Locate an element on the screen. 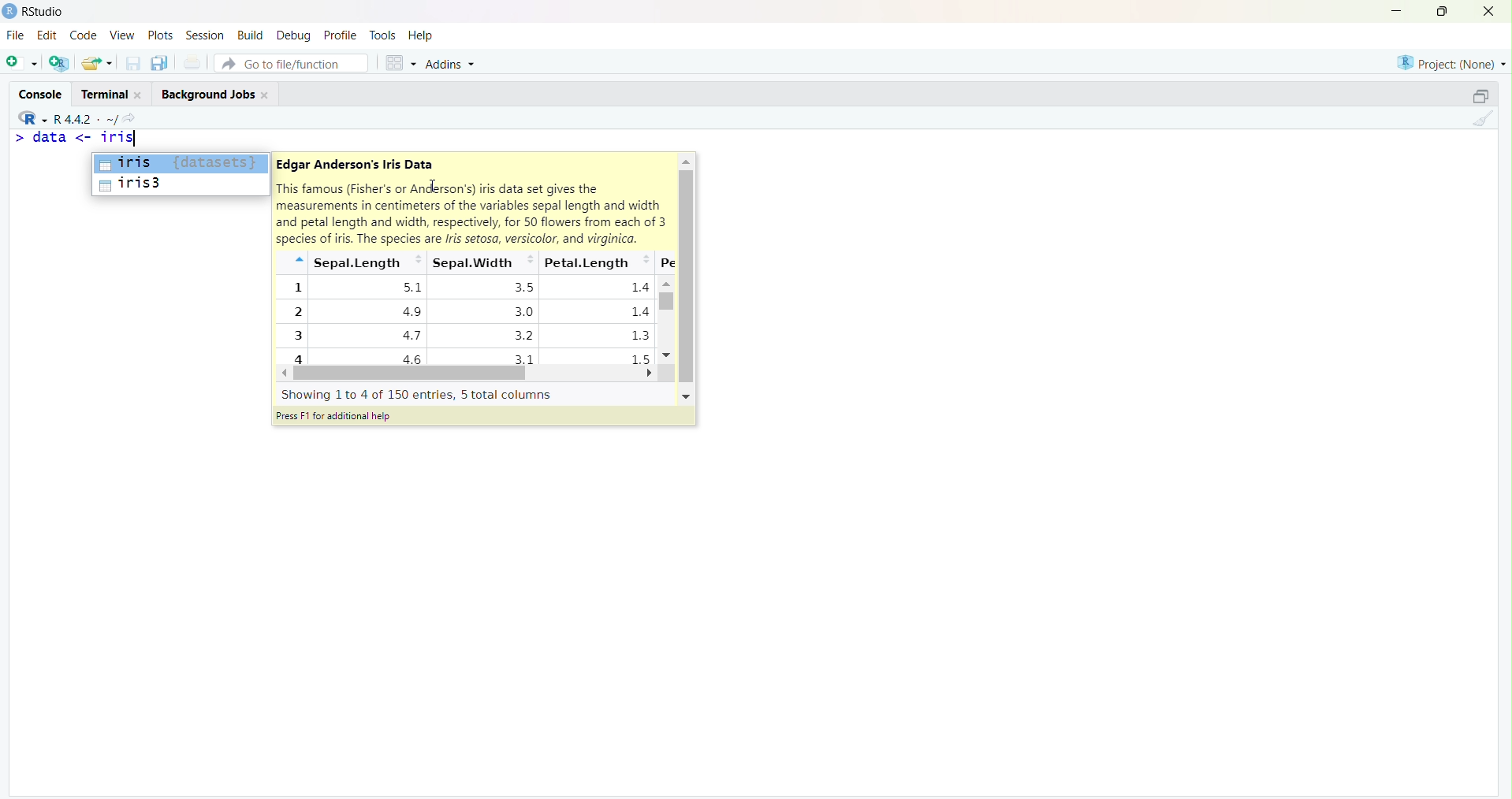 This screenshot has width=1512, height=799. Open an existing file (Ctrl + O) is located at coordinates (99, 63).